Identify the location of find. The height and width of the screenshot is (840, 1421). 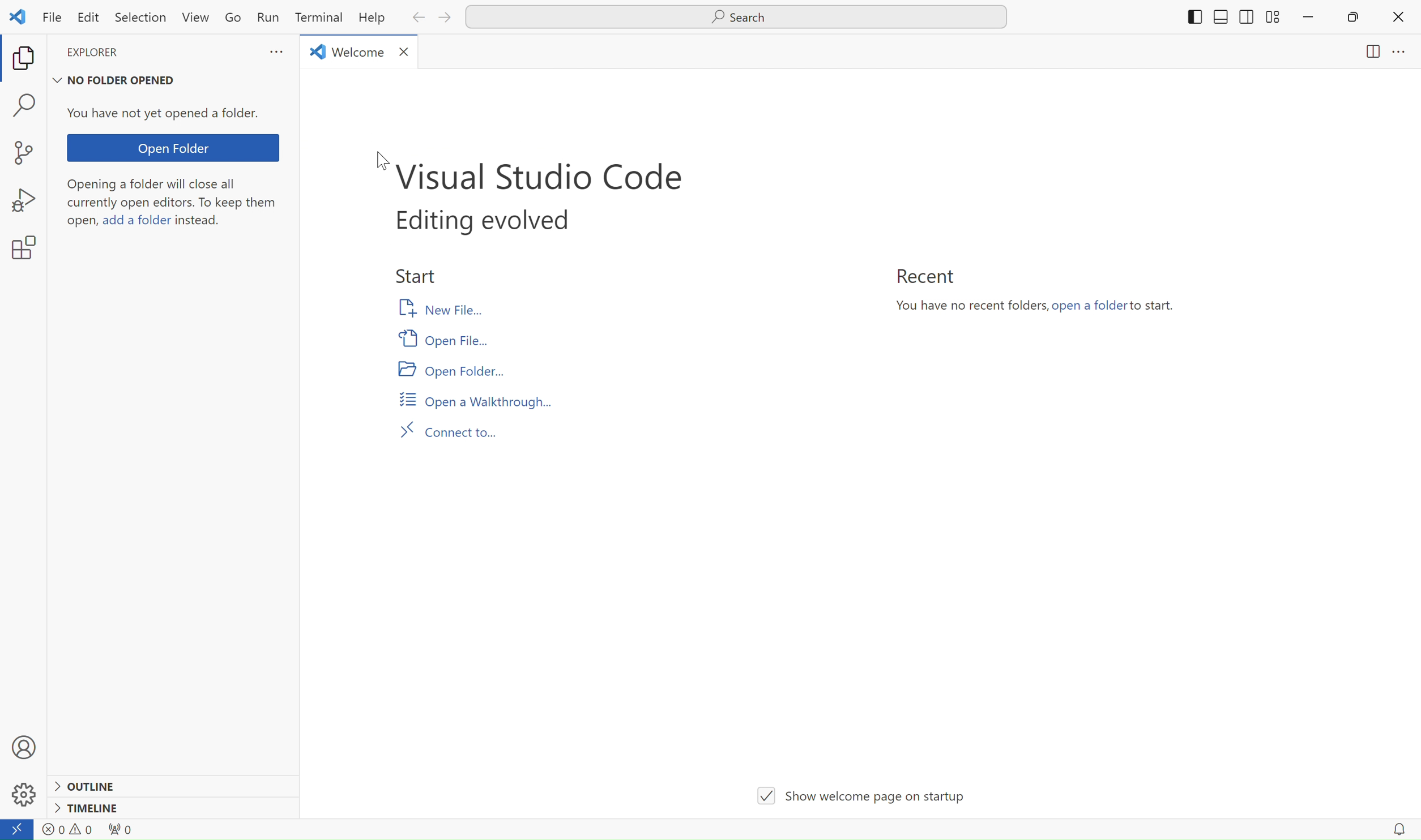
(29, 107).